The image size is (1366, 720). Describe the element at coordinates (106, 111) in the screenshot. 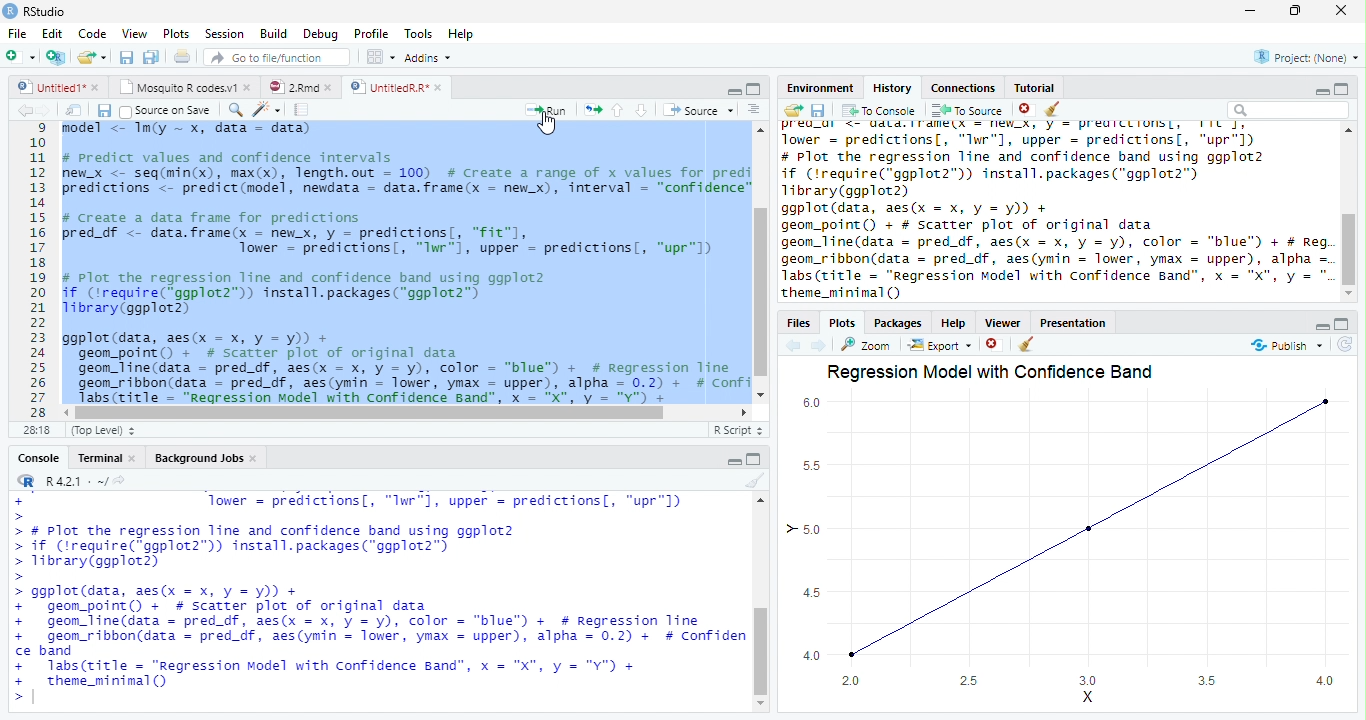

I see `Save ` at that location.